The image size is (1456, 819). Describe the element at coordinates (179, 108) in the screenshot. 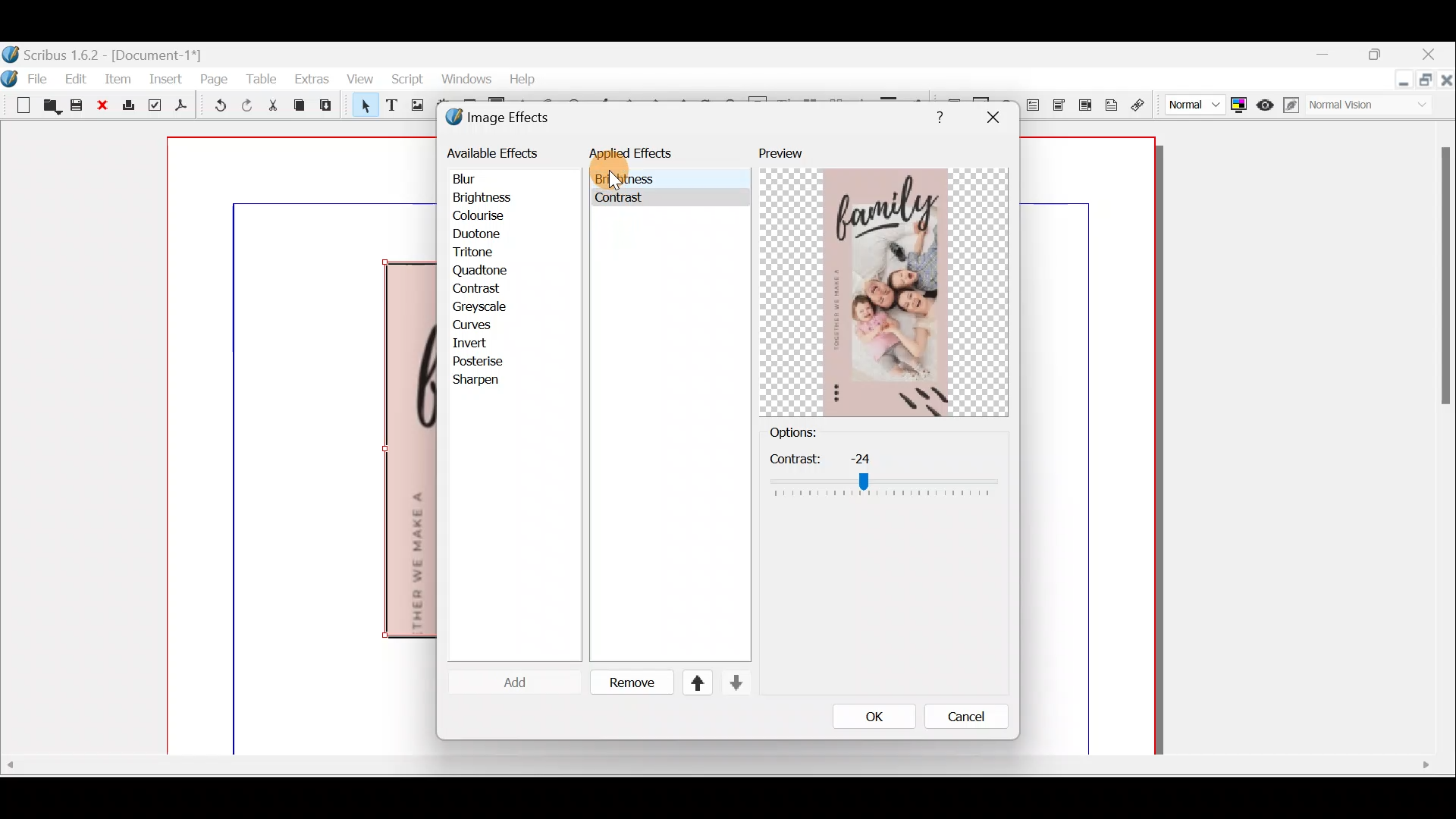

I see `Save as PDF` at that location.